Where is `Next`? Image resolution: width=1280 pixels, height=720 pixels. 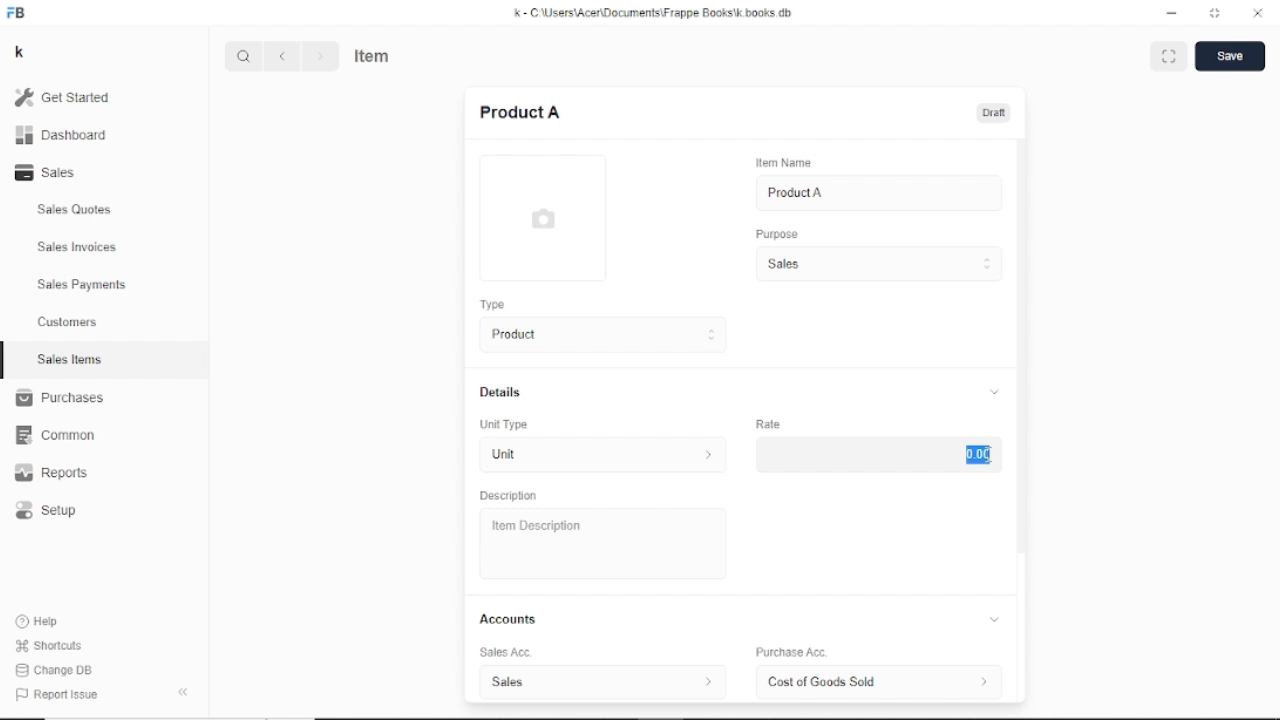
Next is located at coordinates (319, 56).